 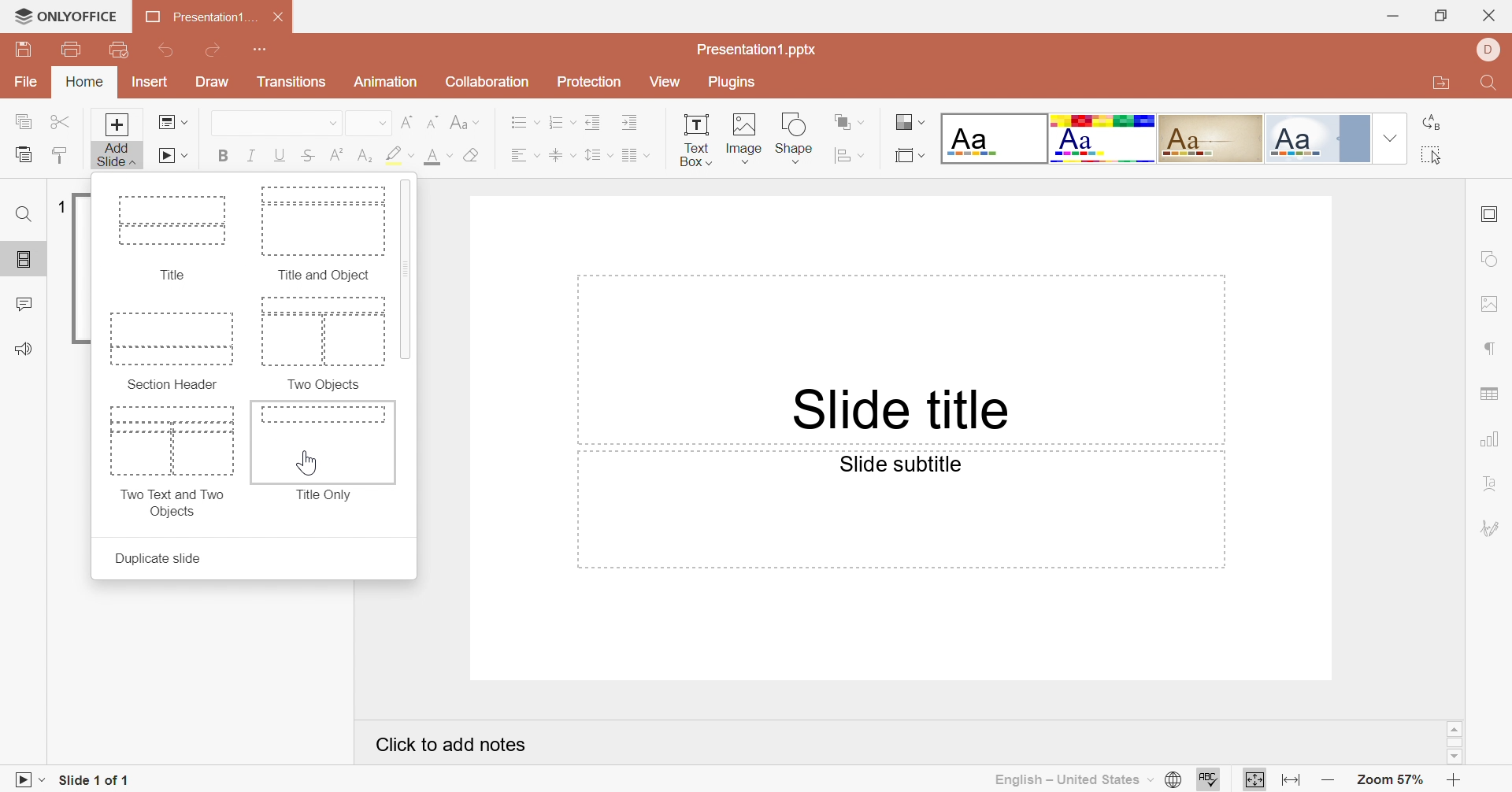 I want to click on Title, so click(x=169, y=237).